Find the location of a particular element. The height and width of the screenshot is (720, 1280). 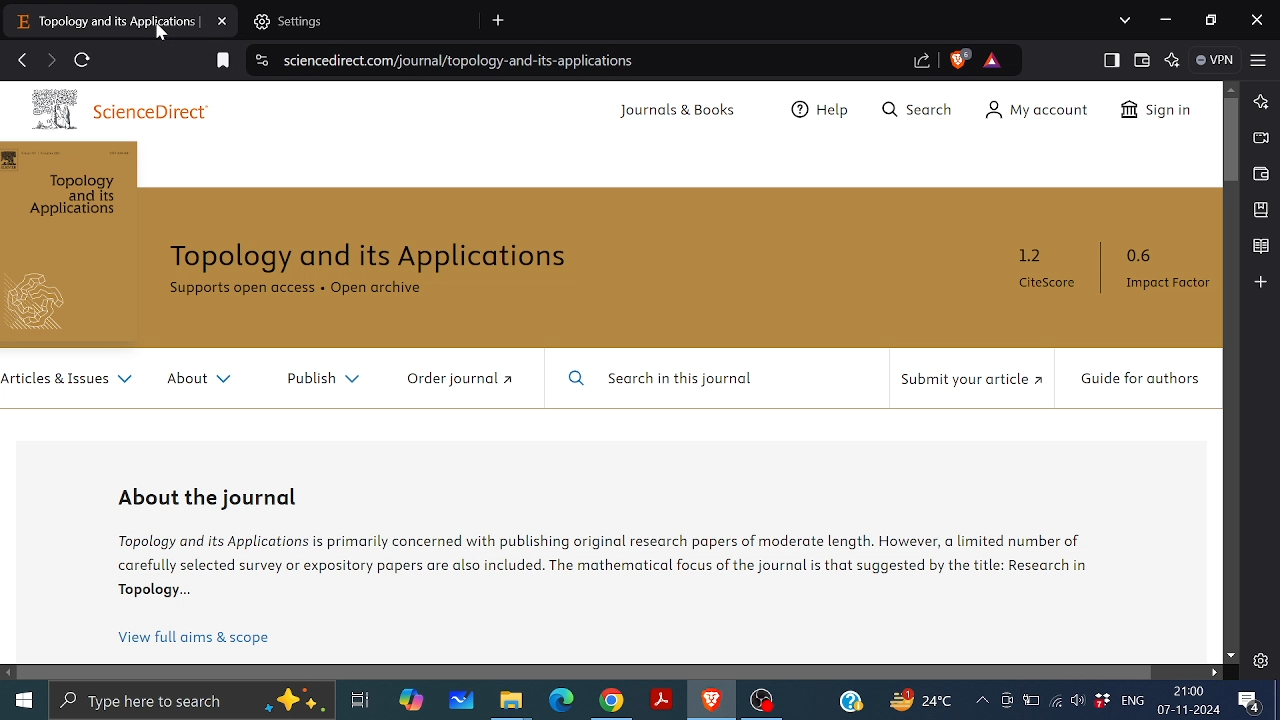

Go forwards is located at coordinates (50, 59).